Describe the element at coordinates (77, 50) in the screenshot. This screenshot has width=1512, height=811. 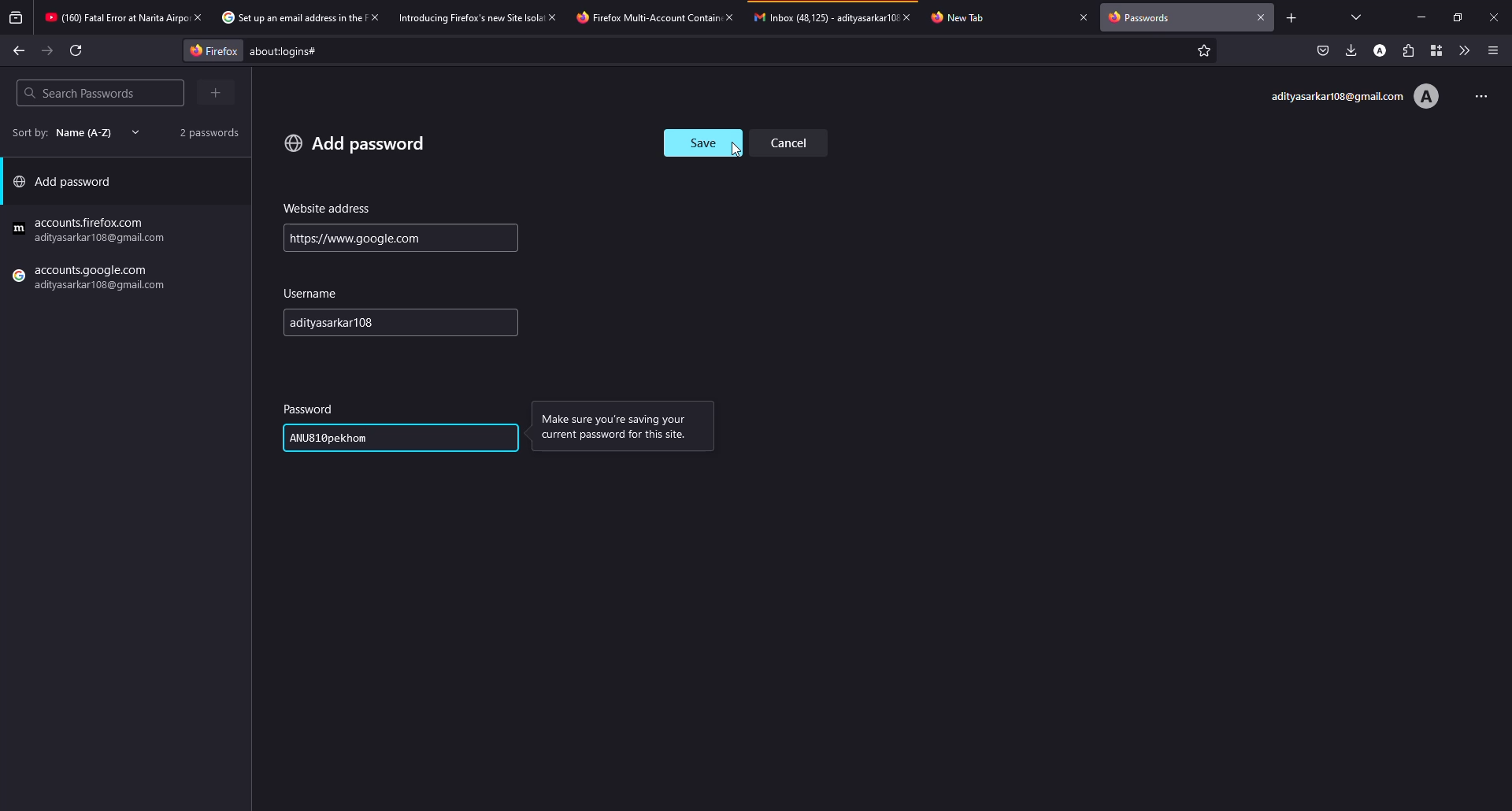
I see `refresh` at that location.